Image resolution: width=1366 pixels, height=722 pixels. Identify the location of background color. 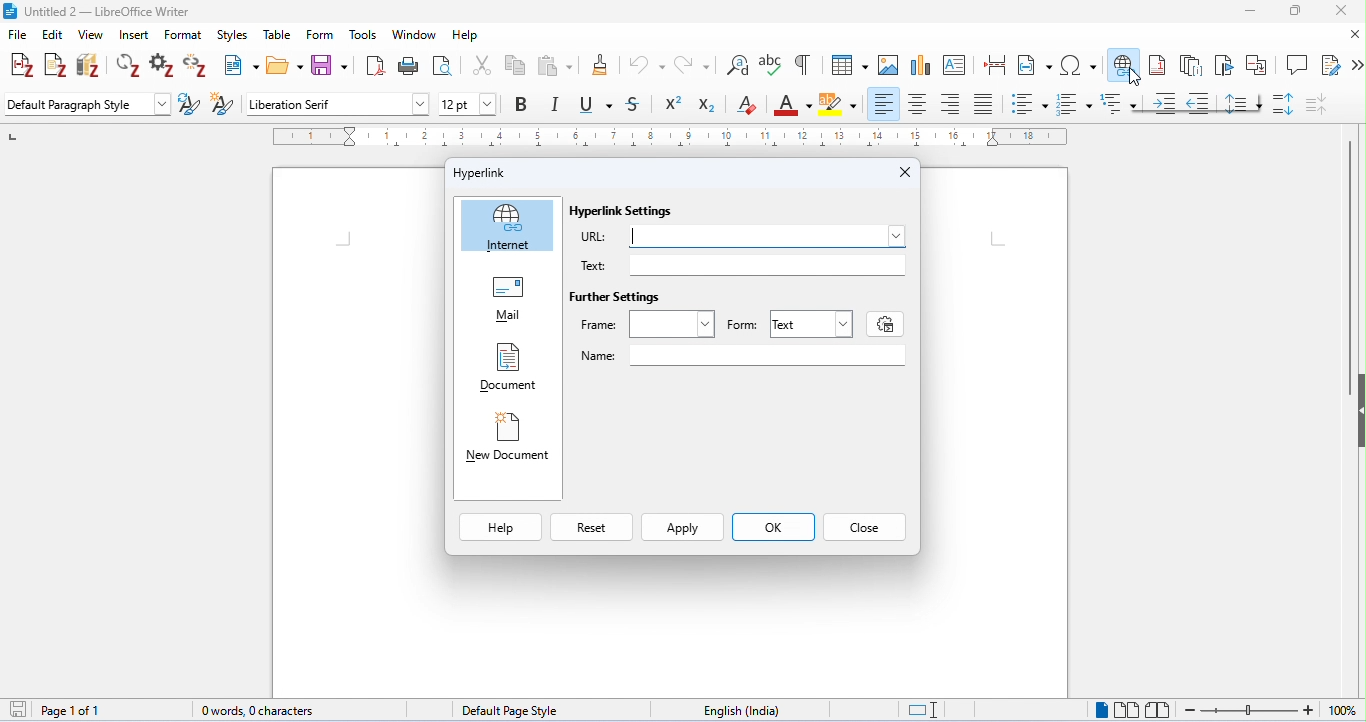
(840, 105).